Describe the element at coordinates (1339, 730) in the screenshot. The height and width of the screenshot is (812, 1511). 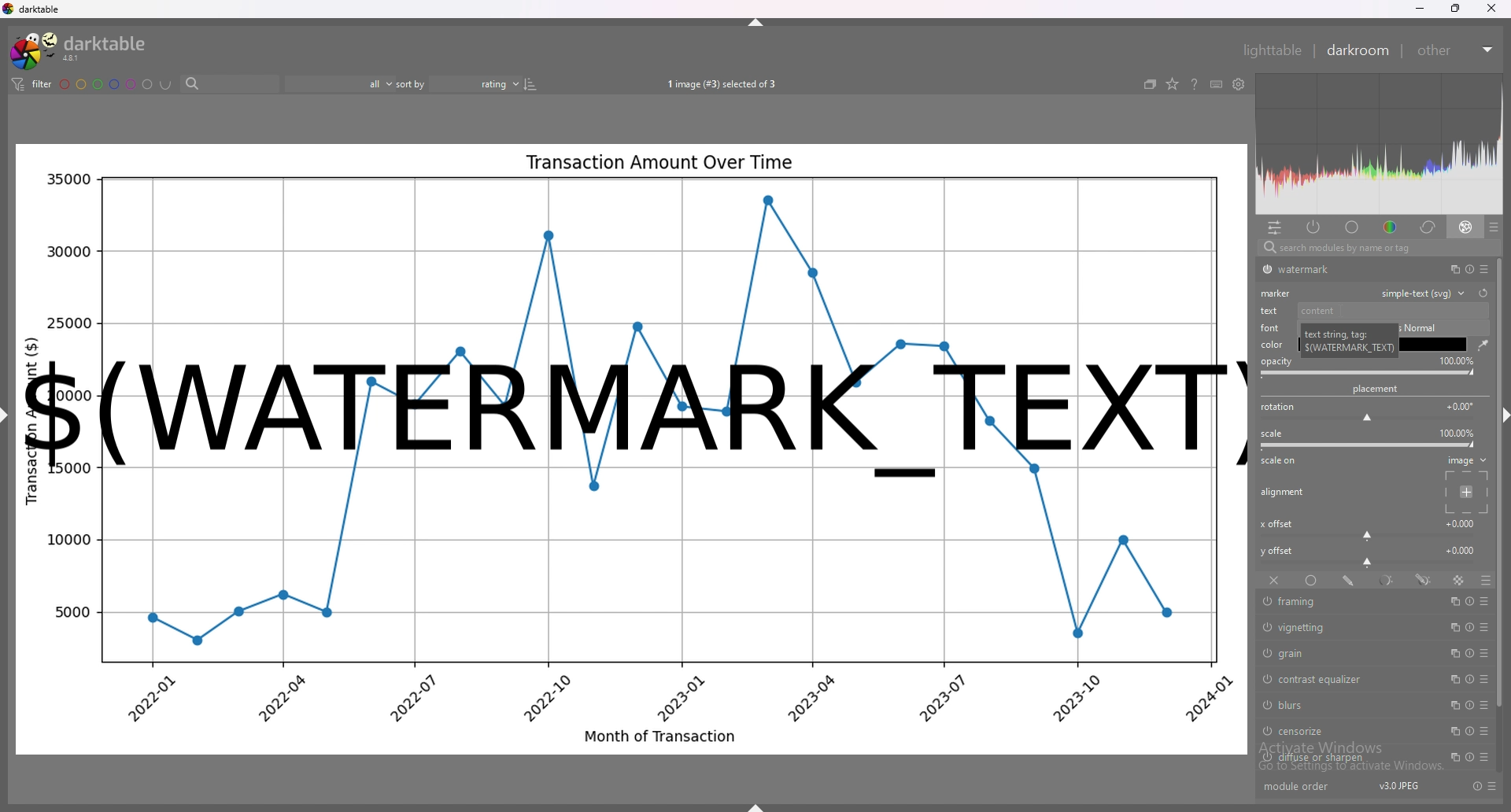
I see `censorize` at that location.